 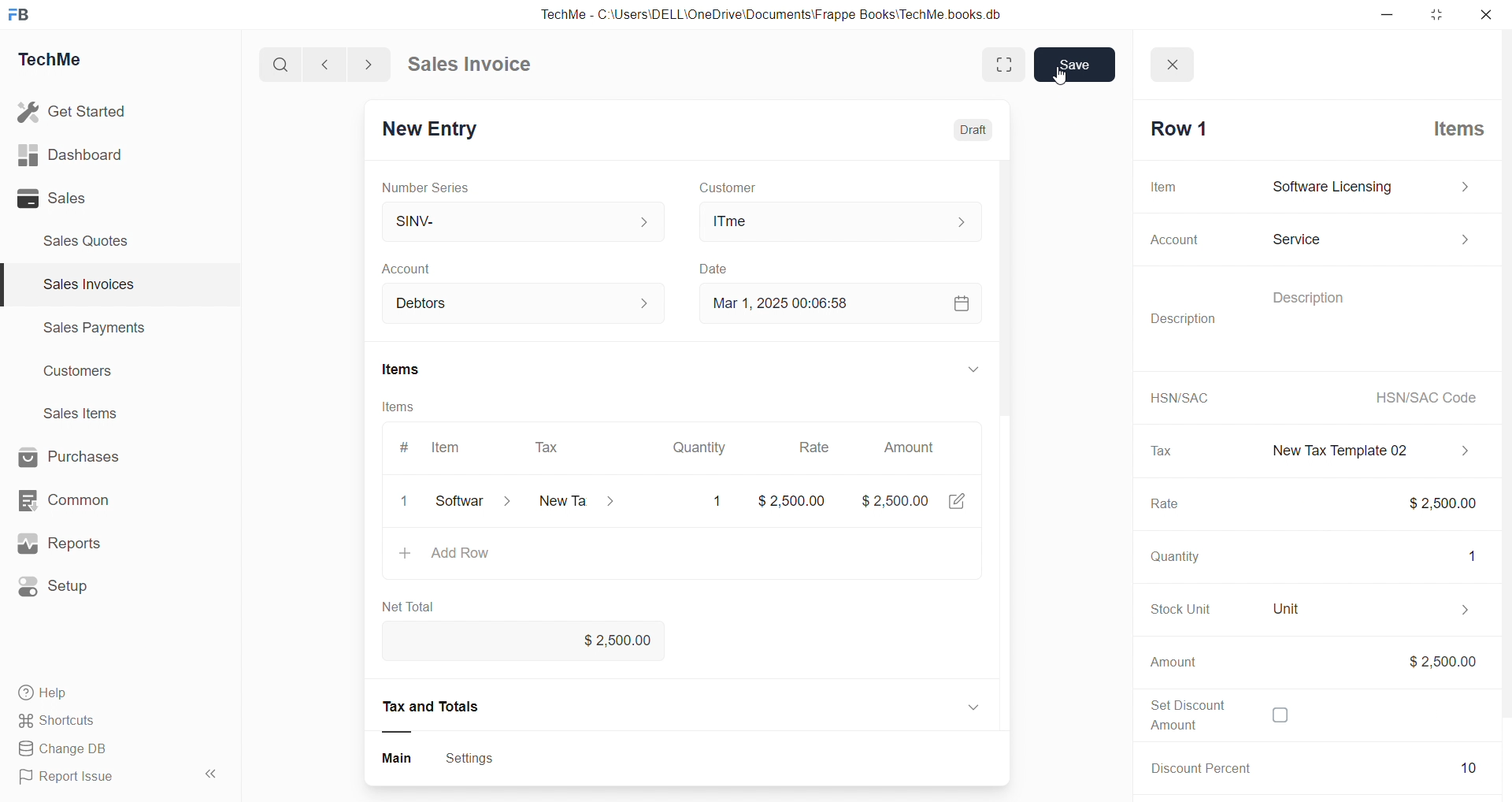 I want to click on Minimize, so click(x=1392, y=16).